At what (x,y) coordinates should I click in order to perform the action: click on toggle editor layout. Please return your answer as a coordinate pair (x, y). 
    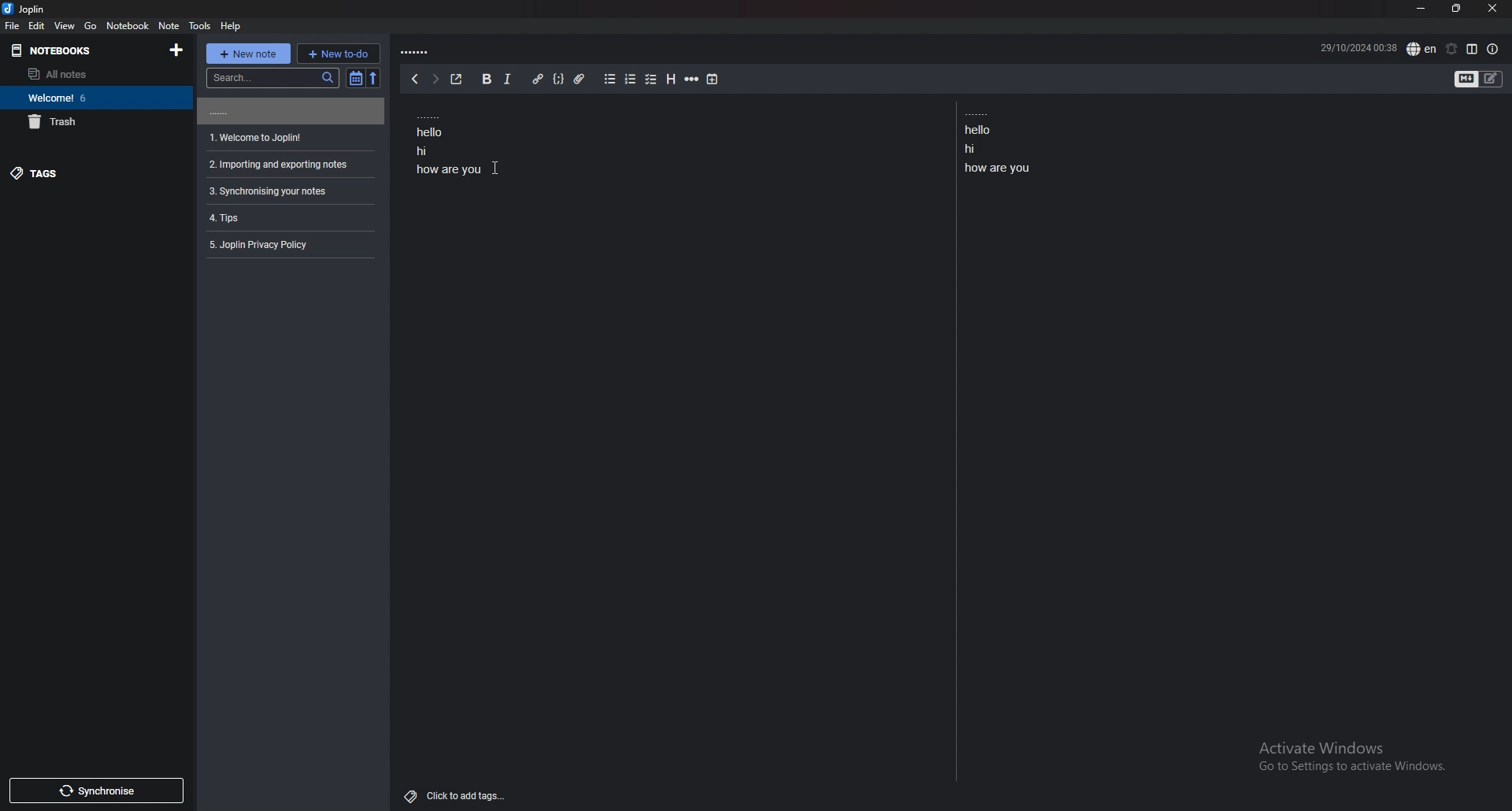
    Looking at the image, I should click on (1473, 49).